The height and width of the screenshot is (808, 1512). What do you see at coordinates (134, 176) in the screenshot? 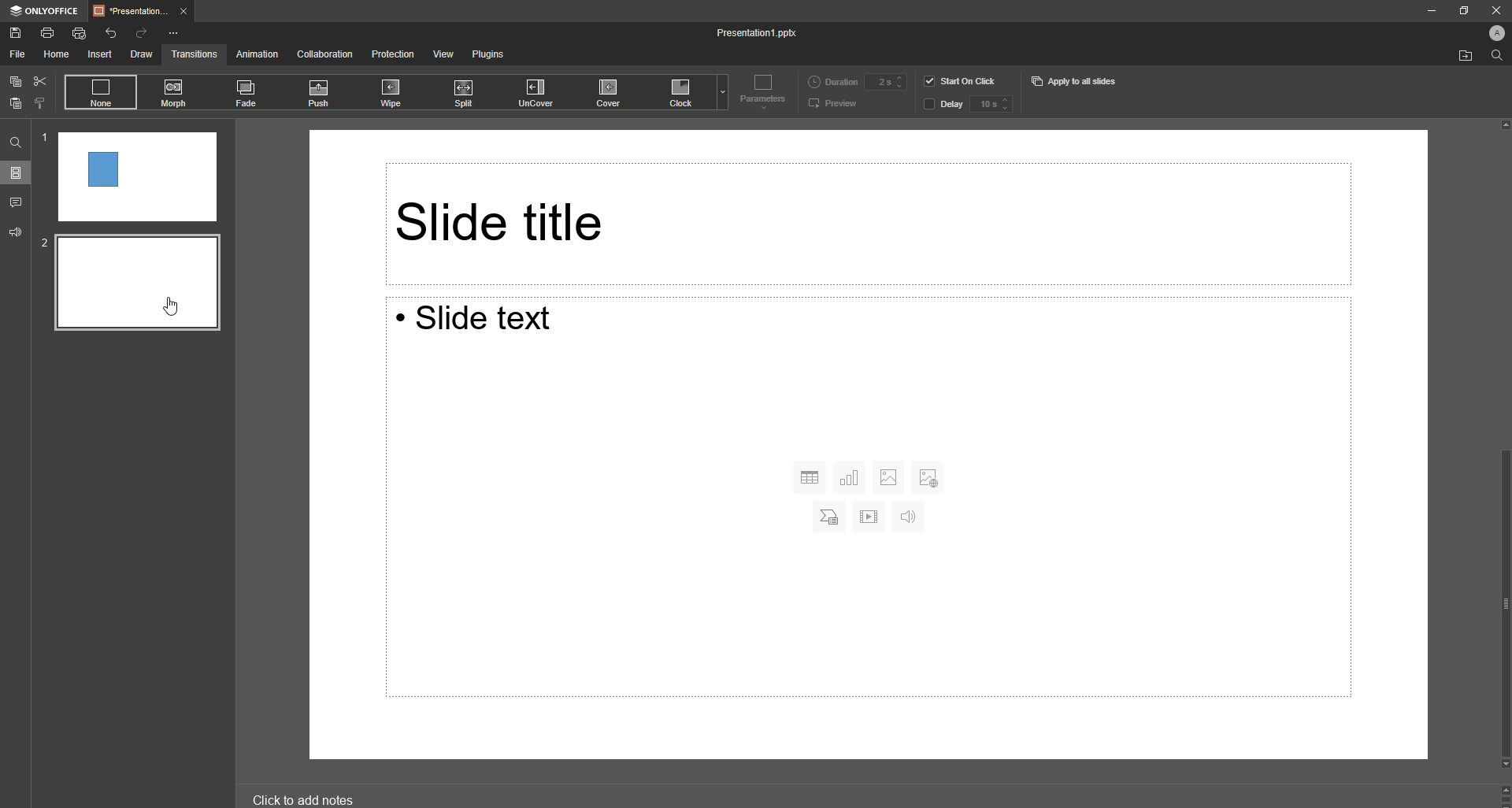
I see `Slide 1 preview` at bounding box center [134, 176].